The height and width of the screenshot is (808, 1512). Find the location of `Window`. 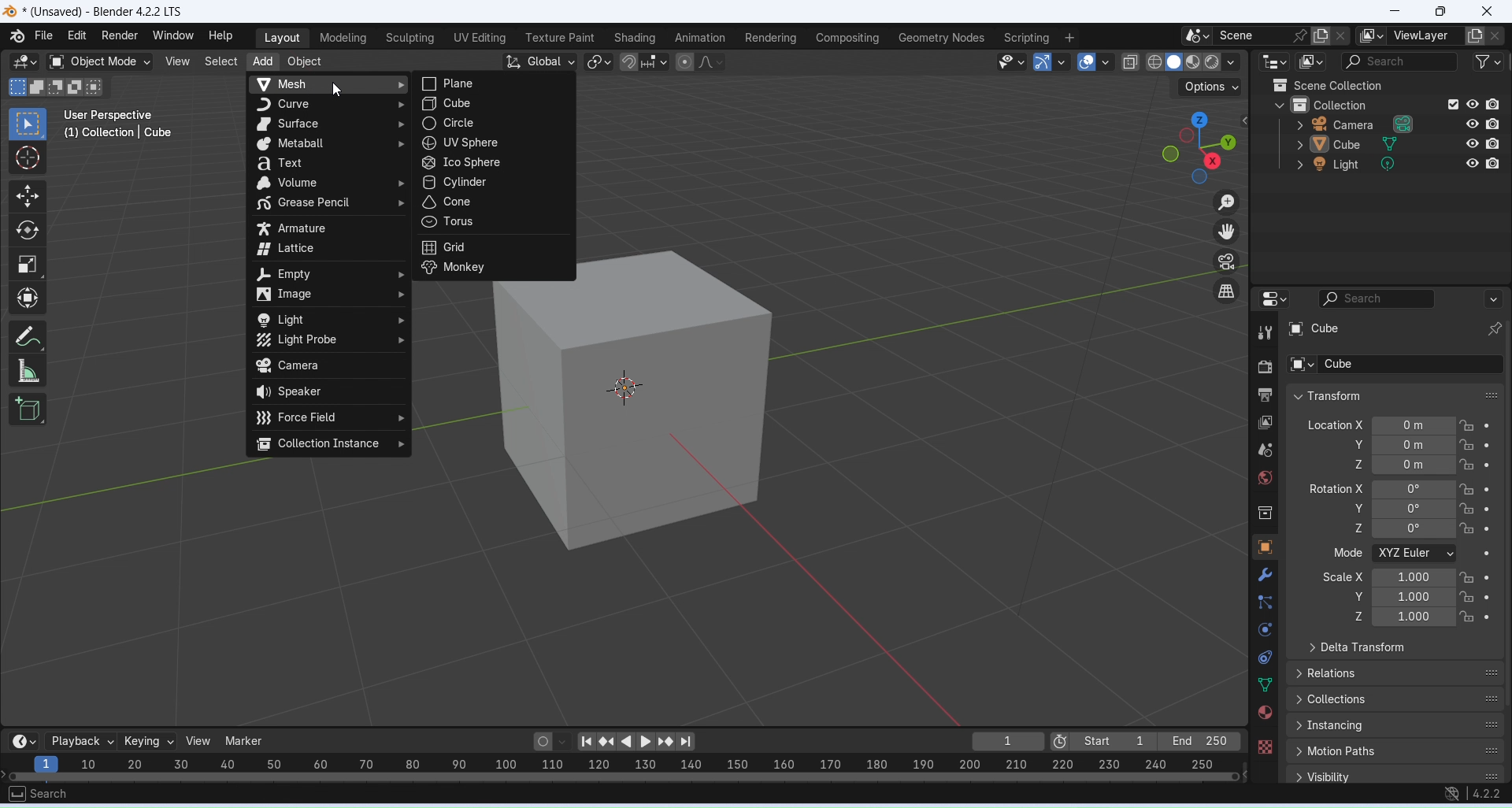

Window is located at coordinates (172, 35).